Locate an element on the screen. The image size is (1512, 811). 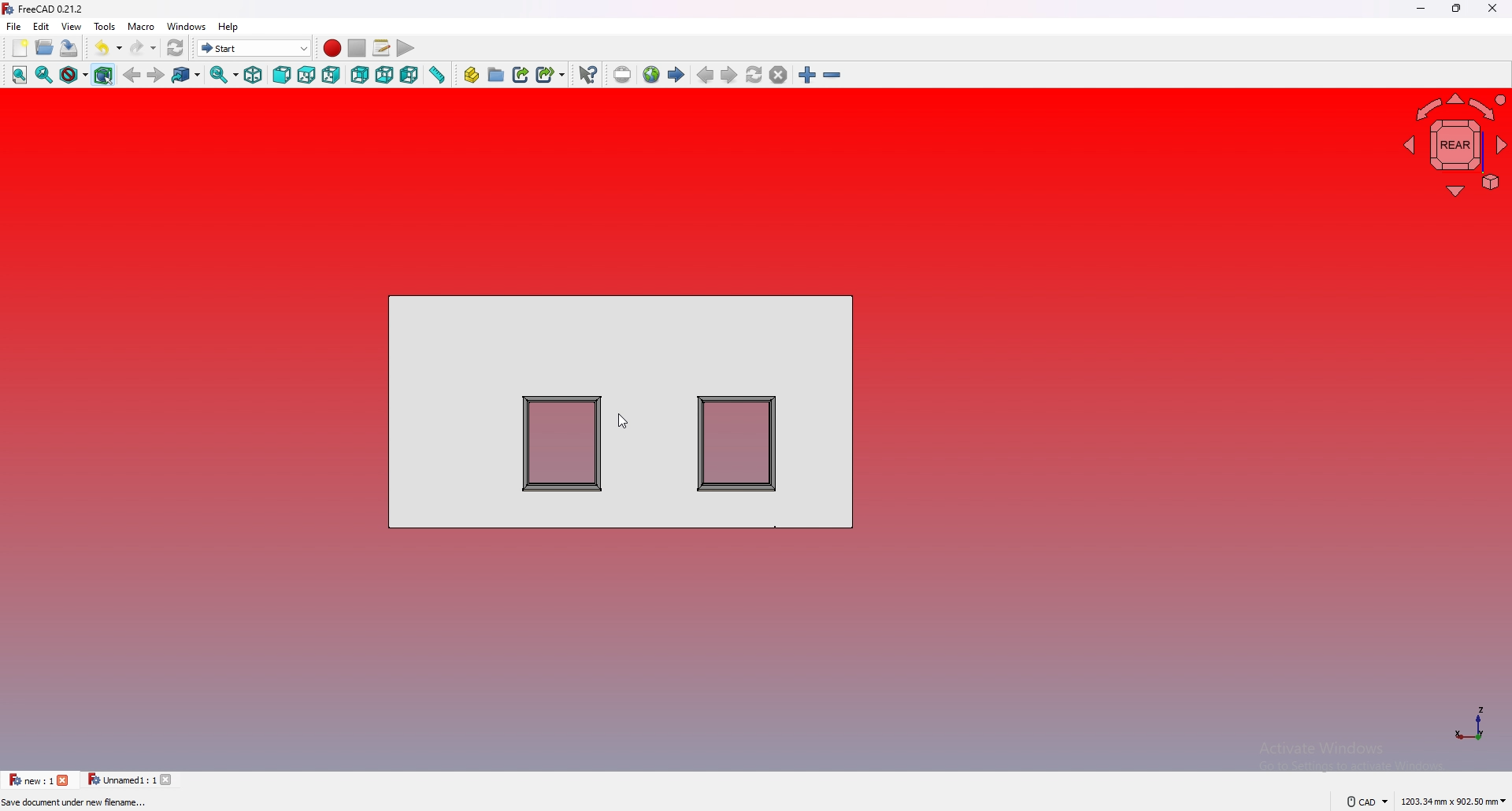
redo is located at coordinates (143, 47).